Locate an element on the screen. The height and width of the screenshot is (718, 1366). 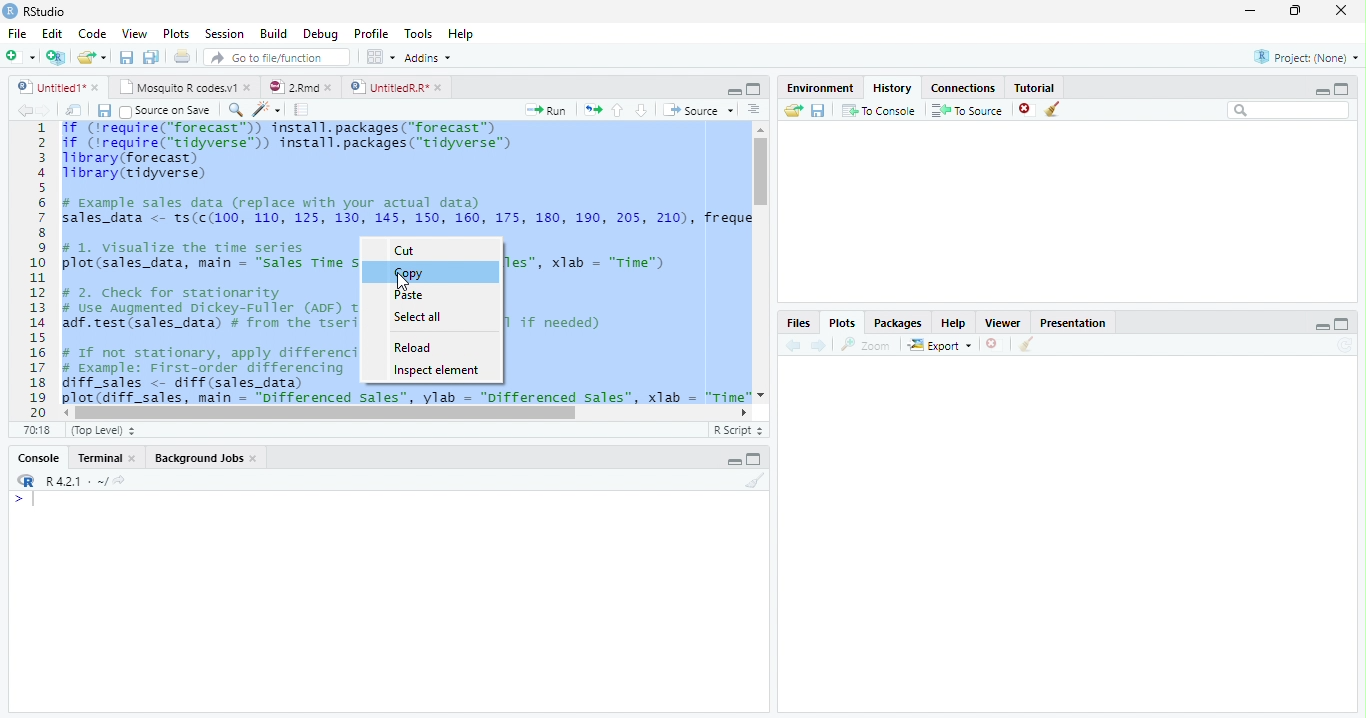
Compile Report is located at coordinates (303, 109).